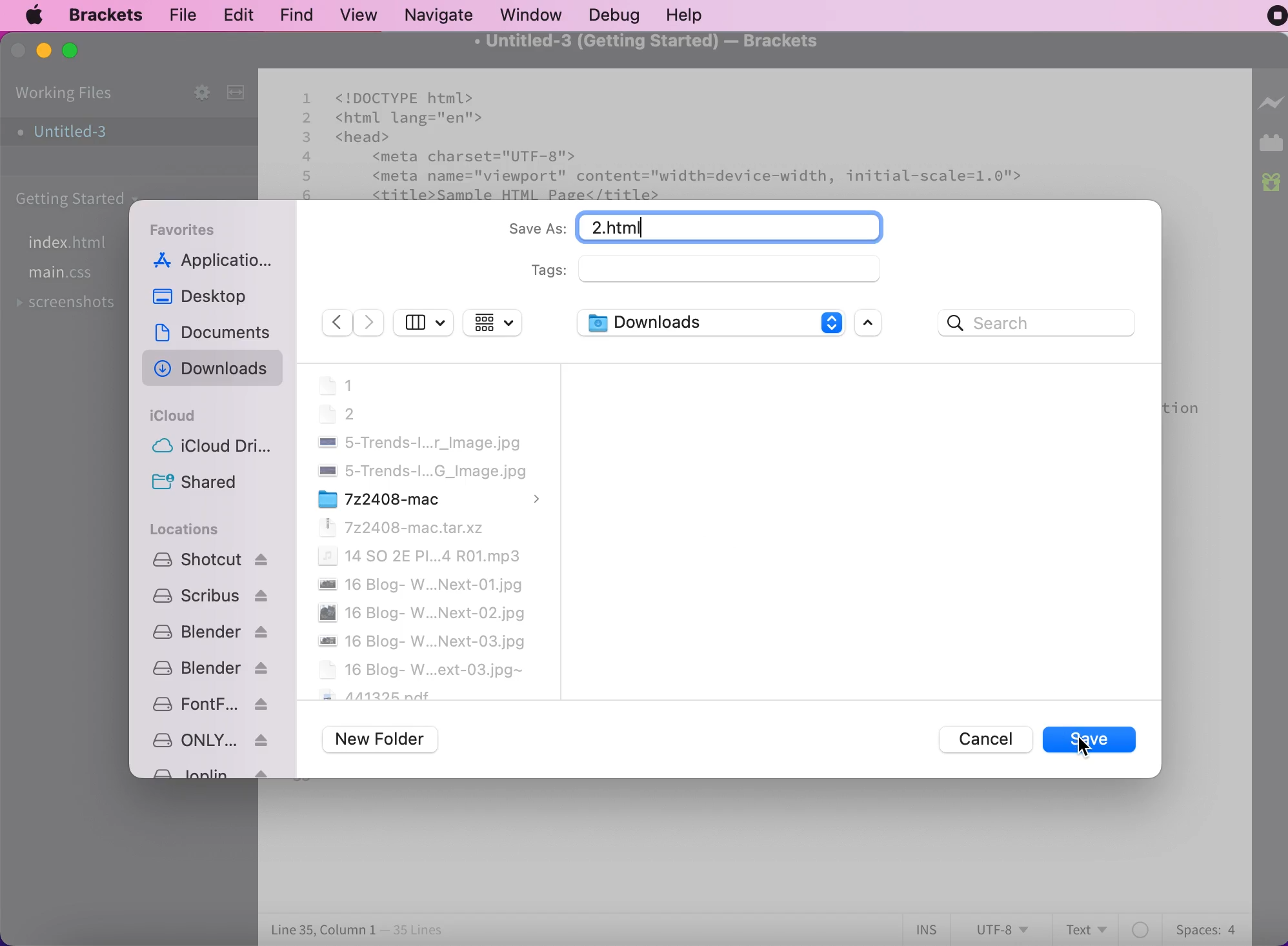 The height and width of the screenshot is (946, 1288). Describe the element at coordinates (370, 321) in the screenshot. I see `next` at that location.